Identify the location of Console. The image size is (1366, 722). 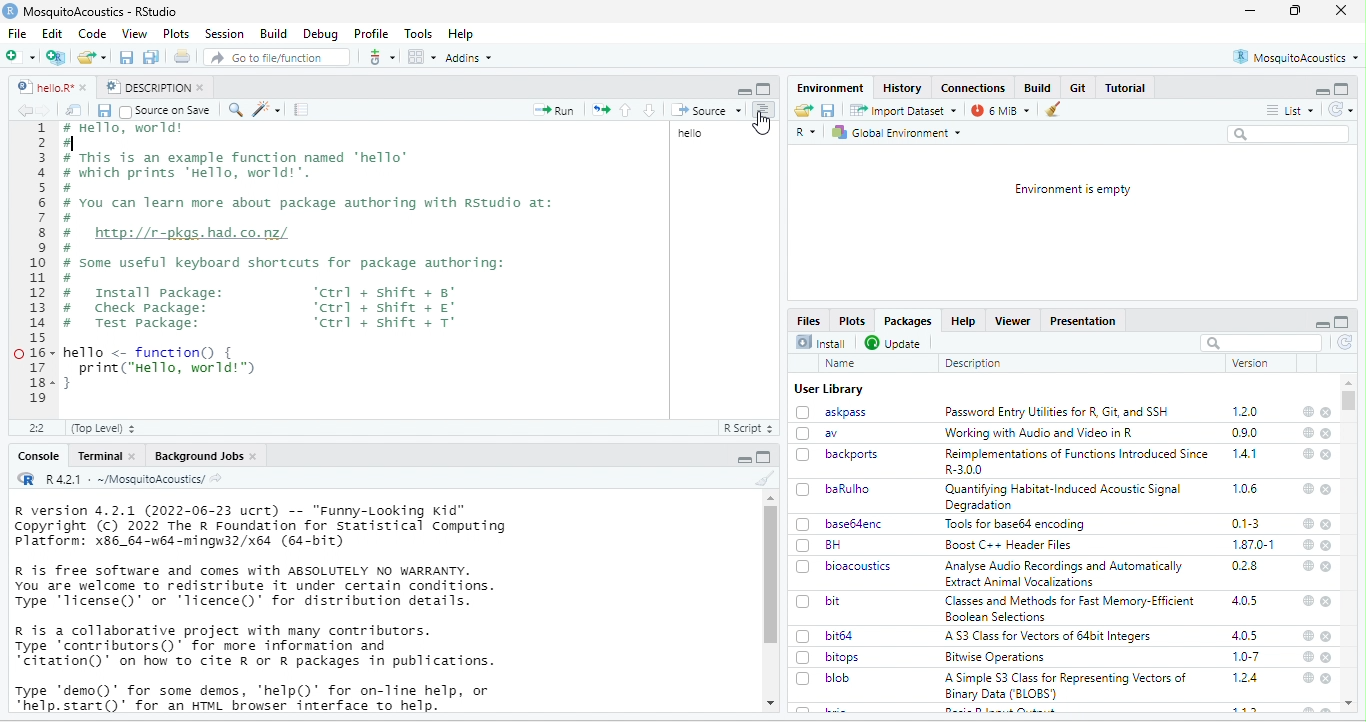
(39, 457).